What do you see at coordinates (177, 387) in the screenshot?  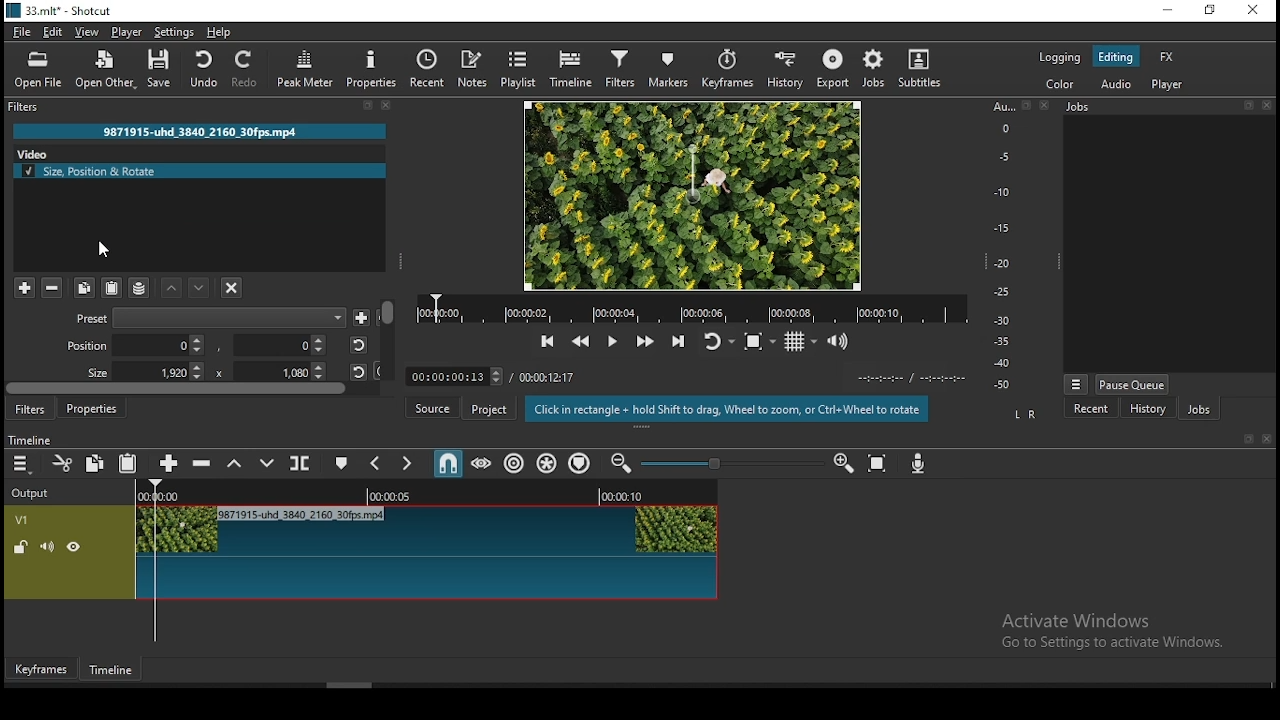 I see `scroll bar` at bounding box center [177, 387].